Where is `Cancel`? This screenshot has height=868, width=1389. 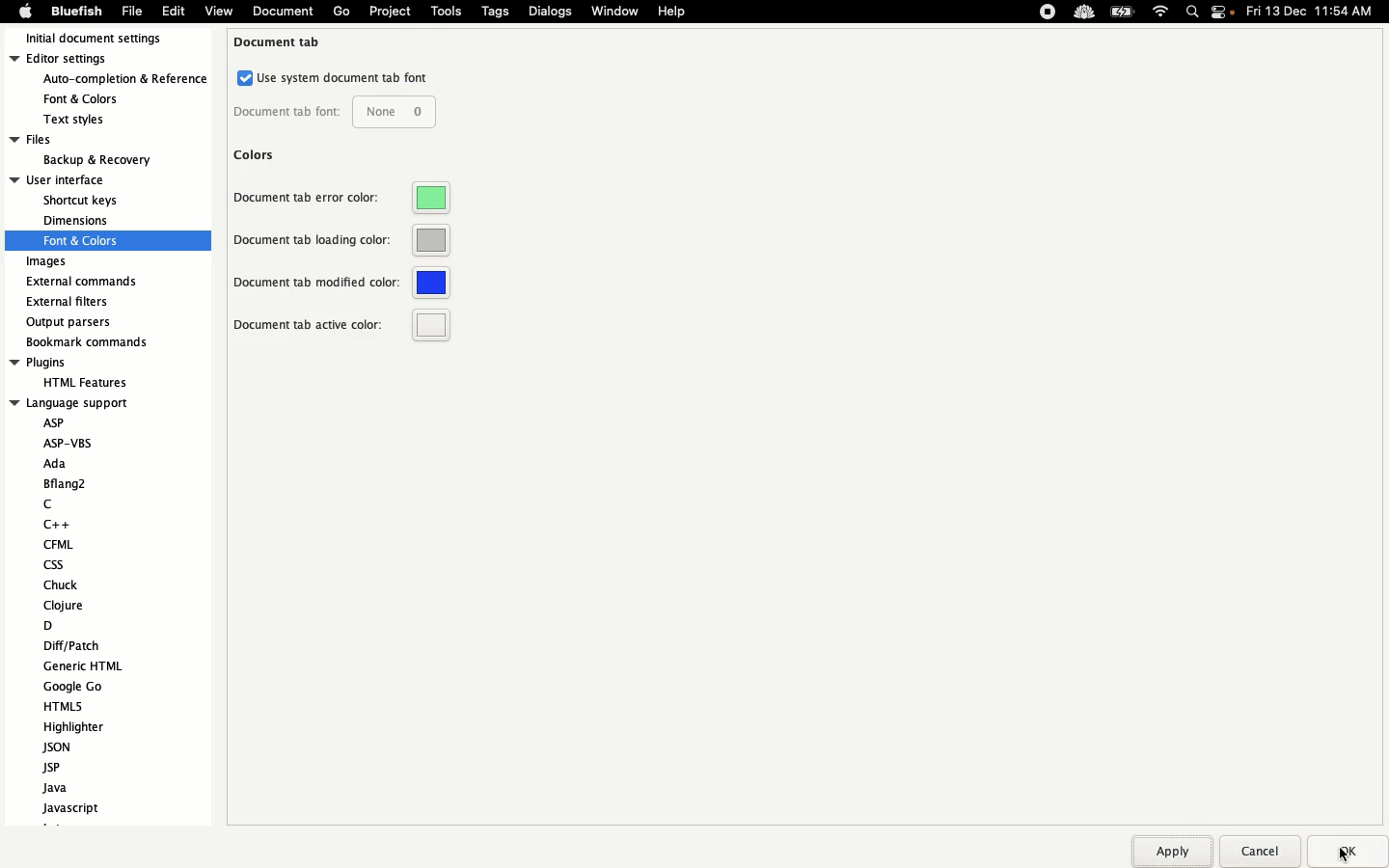
Cancel is located at coordinates (1263, 851).